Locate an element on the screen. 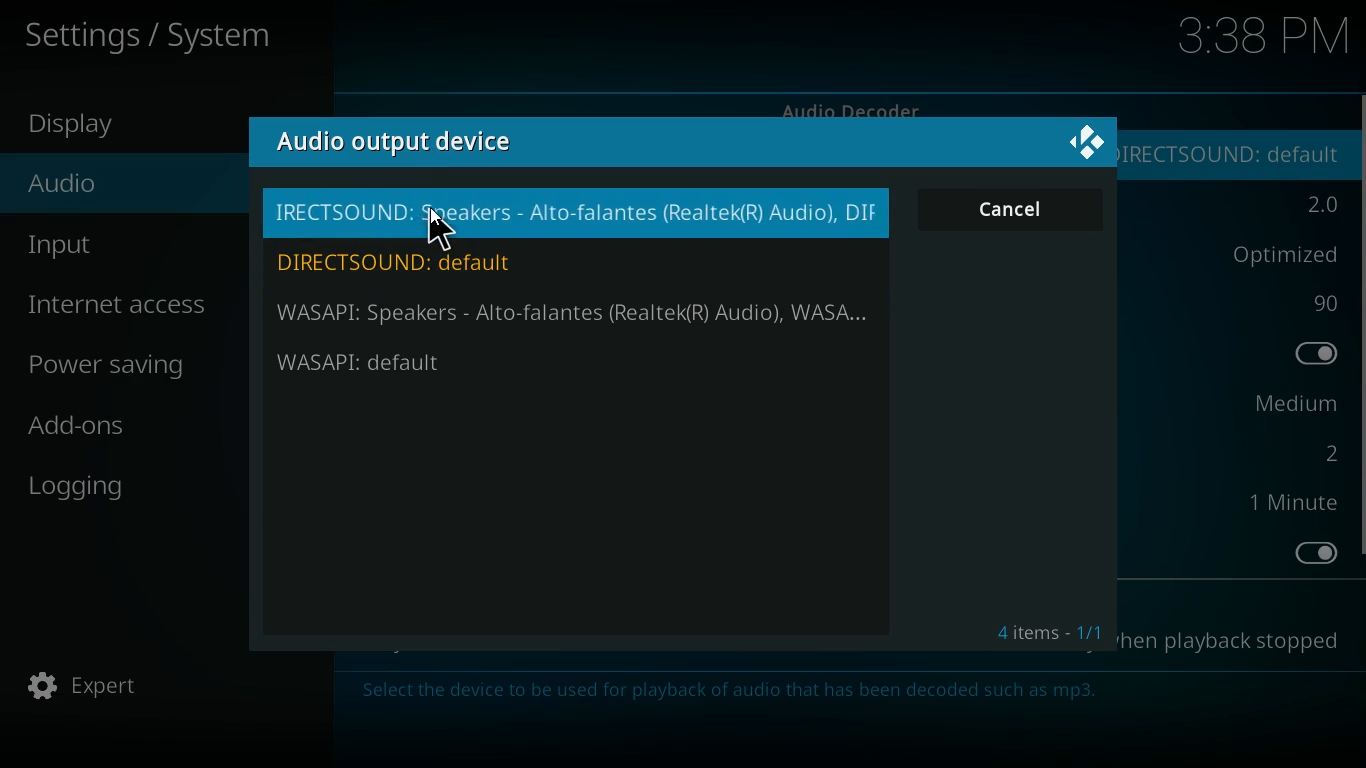 The height and width of the screenshot is (768, 1366). option is located at coordinates (1321, 304).